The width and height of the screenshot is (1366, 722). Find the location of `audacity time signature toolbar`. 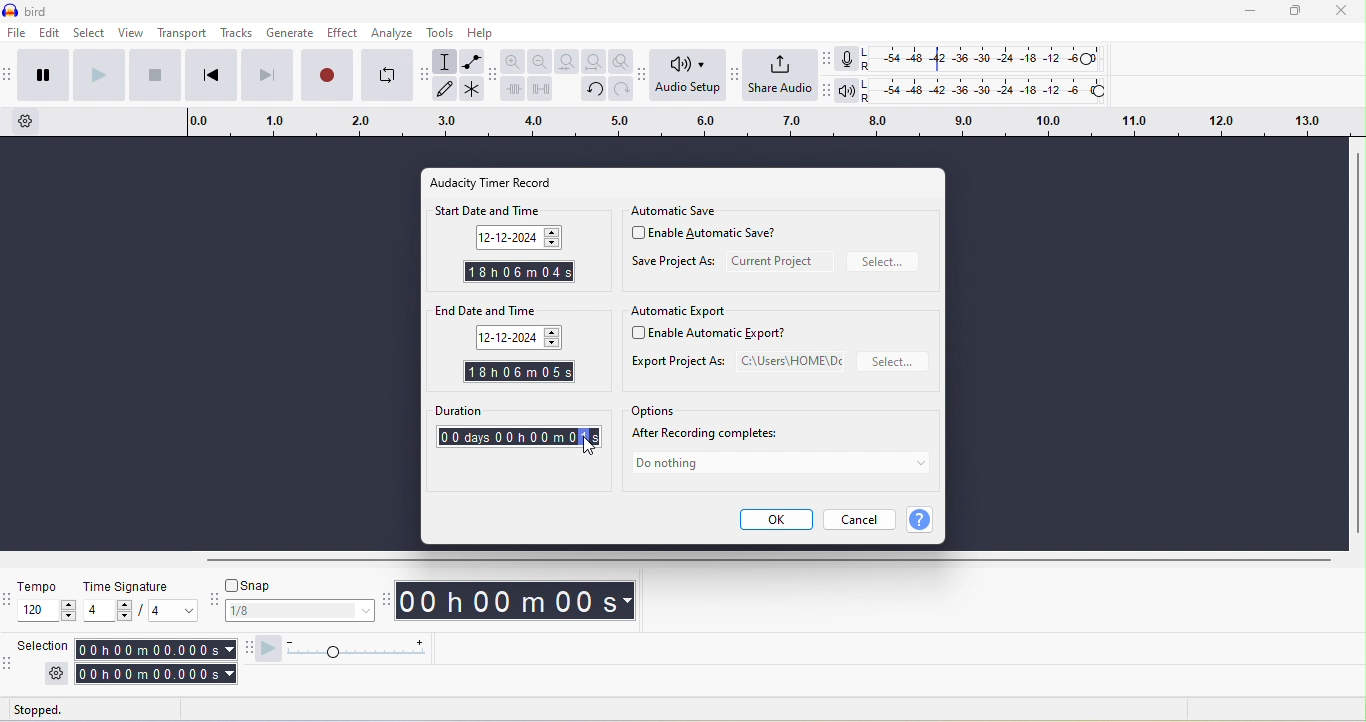

audacity time signature toolbar is located at coordinates (9, 598).